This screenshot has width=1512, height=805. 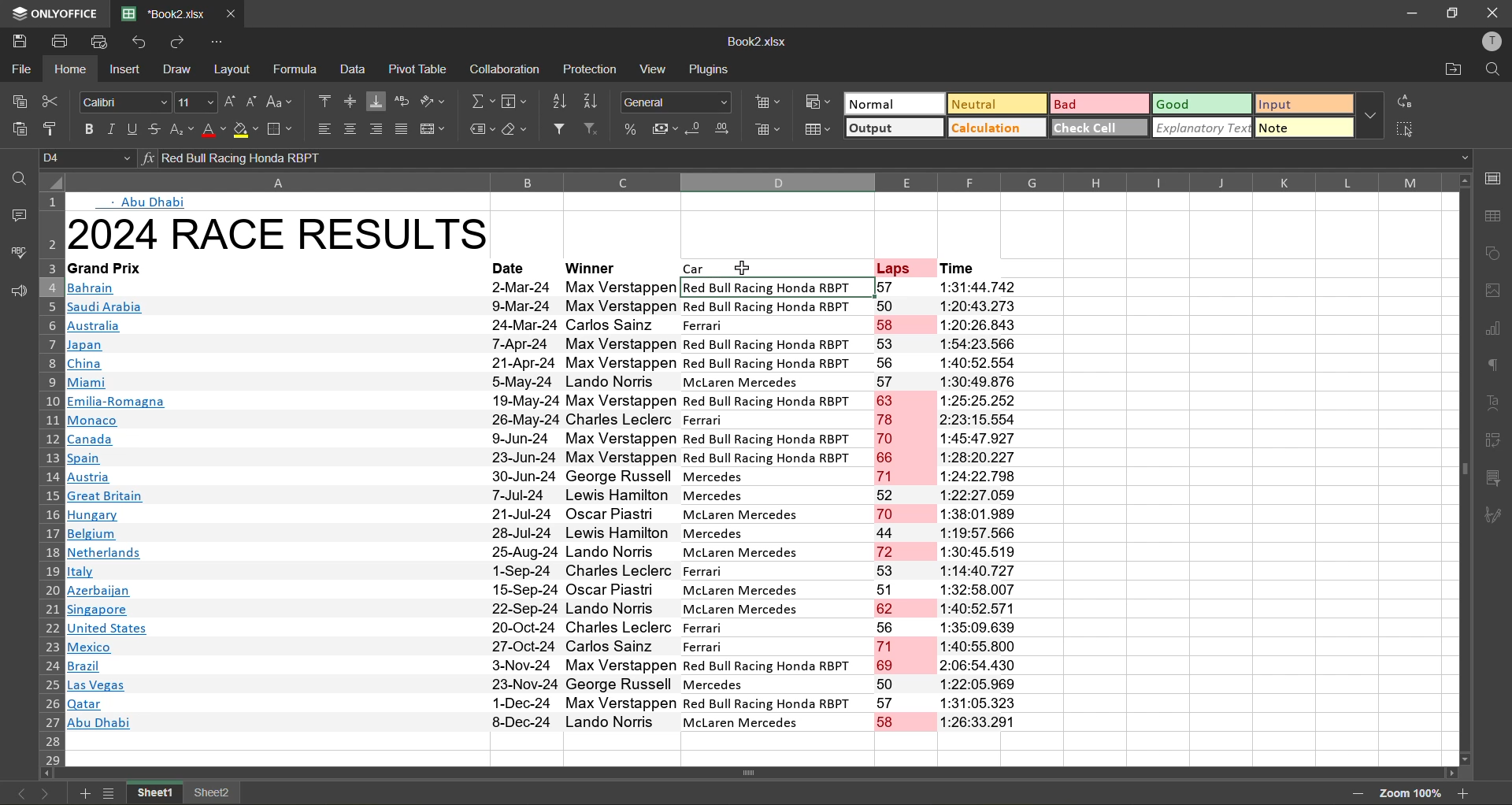 I want to click on neutral, so click(x=996, y=106).